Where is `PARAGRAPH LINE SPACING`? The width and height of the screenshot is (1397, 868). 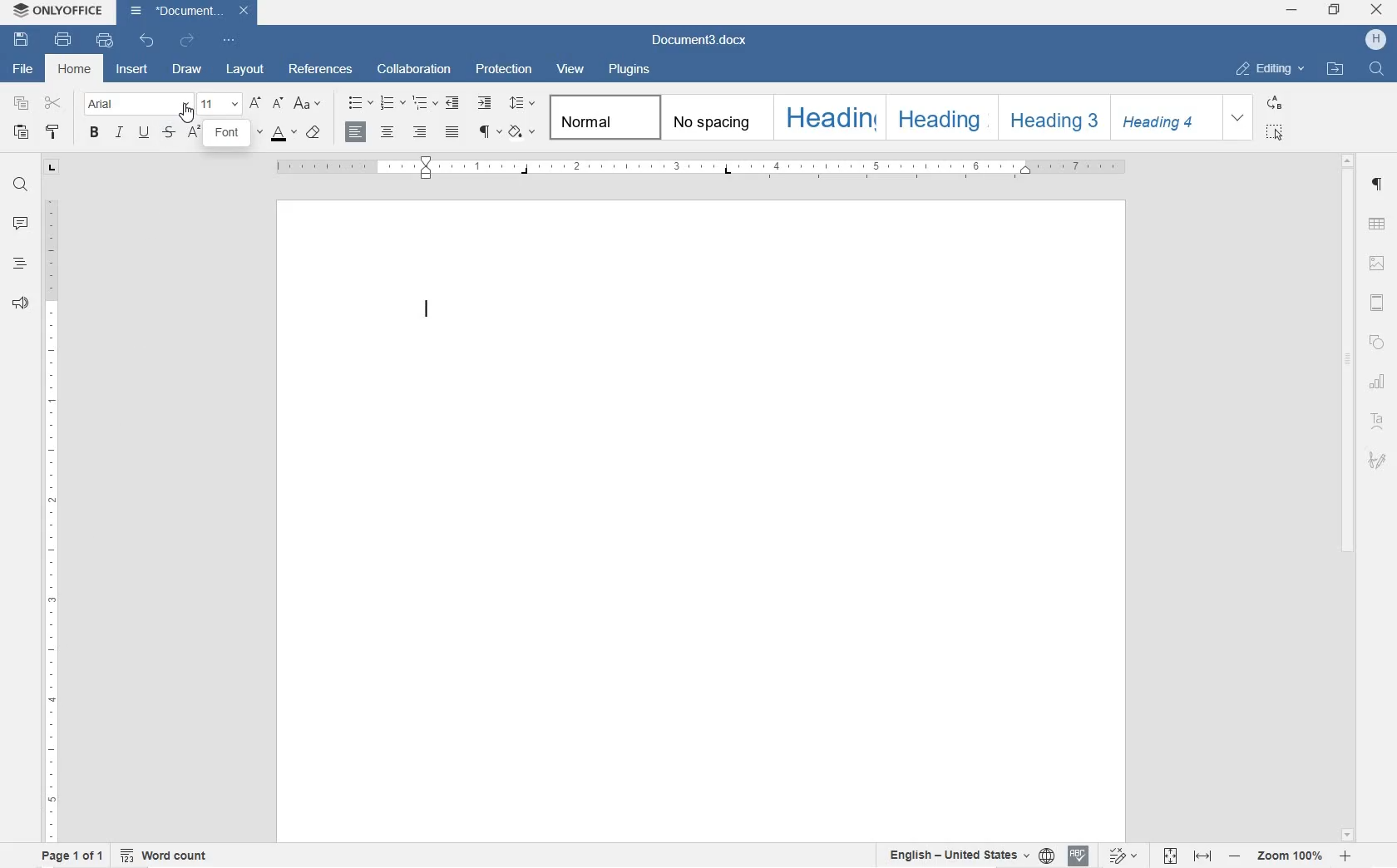
PARAGRAPH LINE SPACING is located at coordinates (522, 101).